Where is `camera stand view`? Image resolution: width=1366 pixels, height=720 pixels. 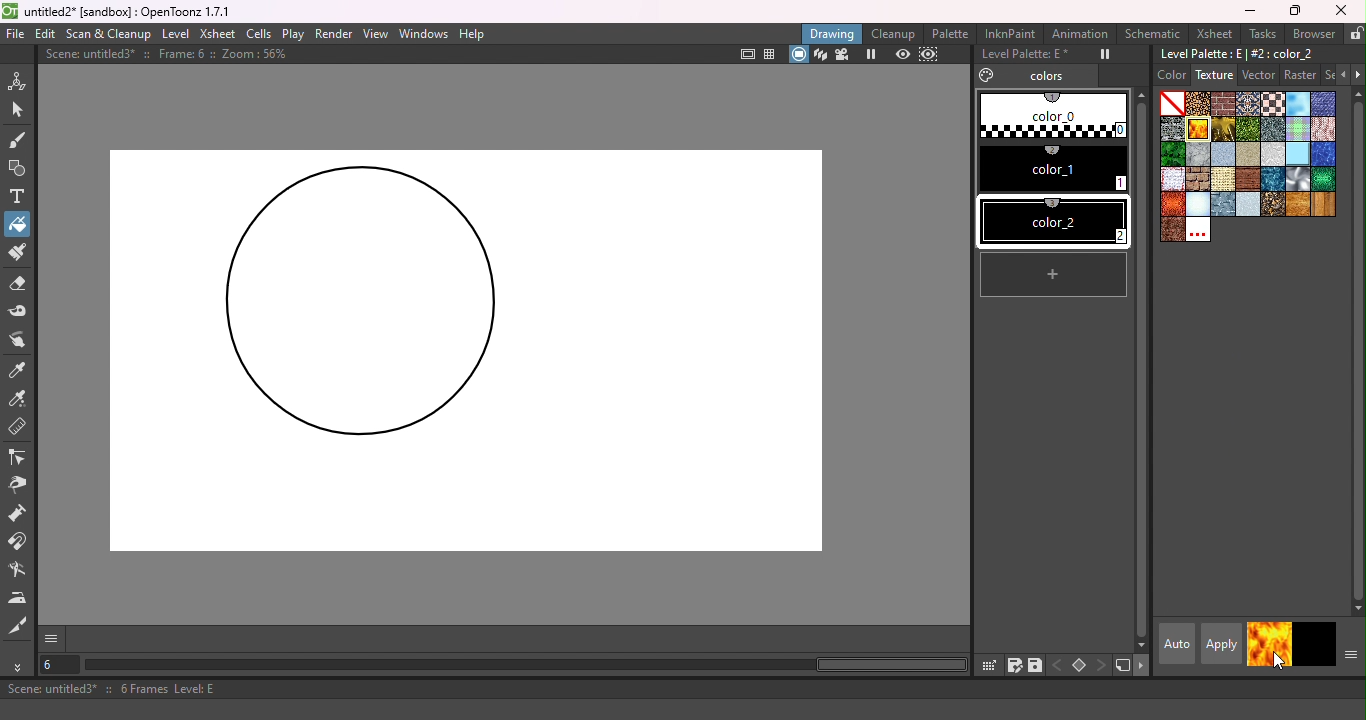 camera stand view is located at coordinates (798, 54).